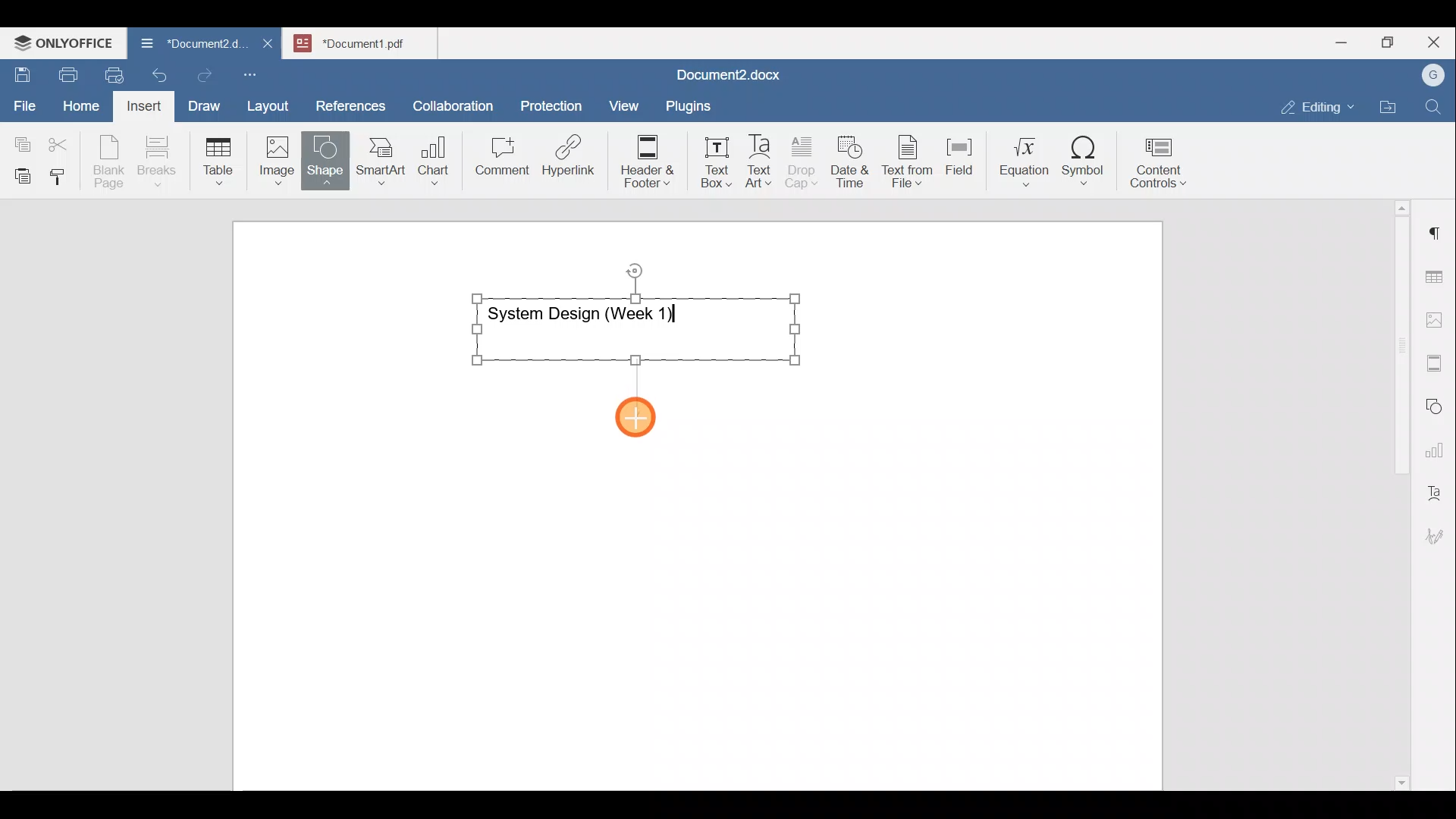  What do you see at coordinates (204, 76) in the screenshot?
I see `Redo` at bounding box center [204, 76].